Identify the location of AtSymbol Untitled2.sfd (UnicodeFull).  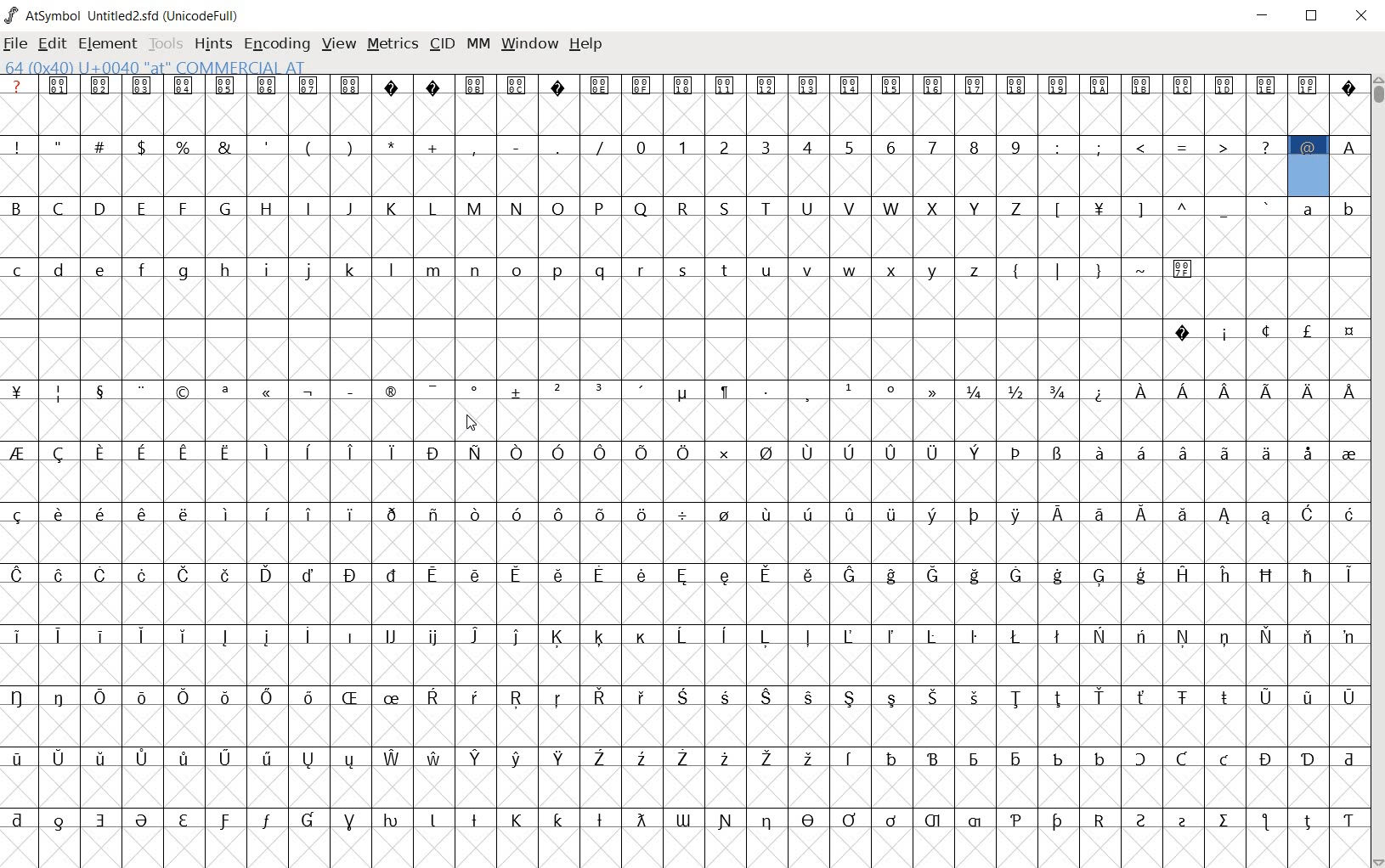
(126, 15).